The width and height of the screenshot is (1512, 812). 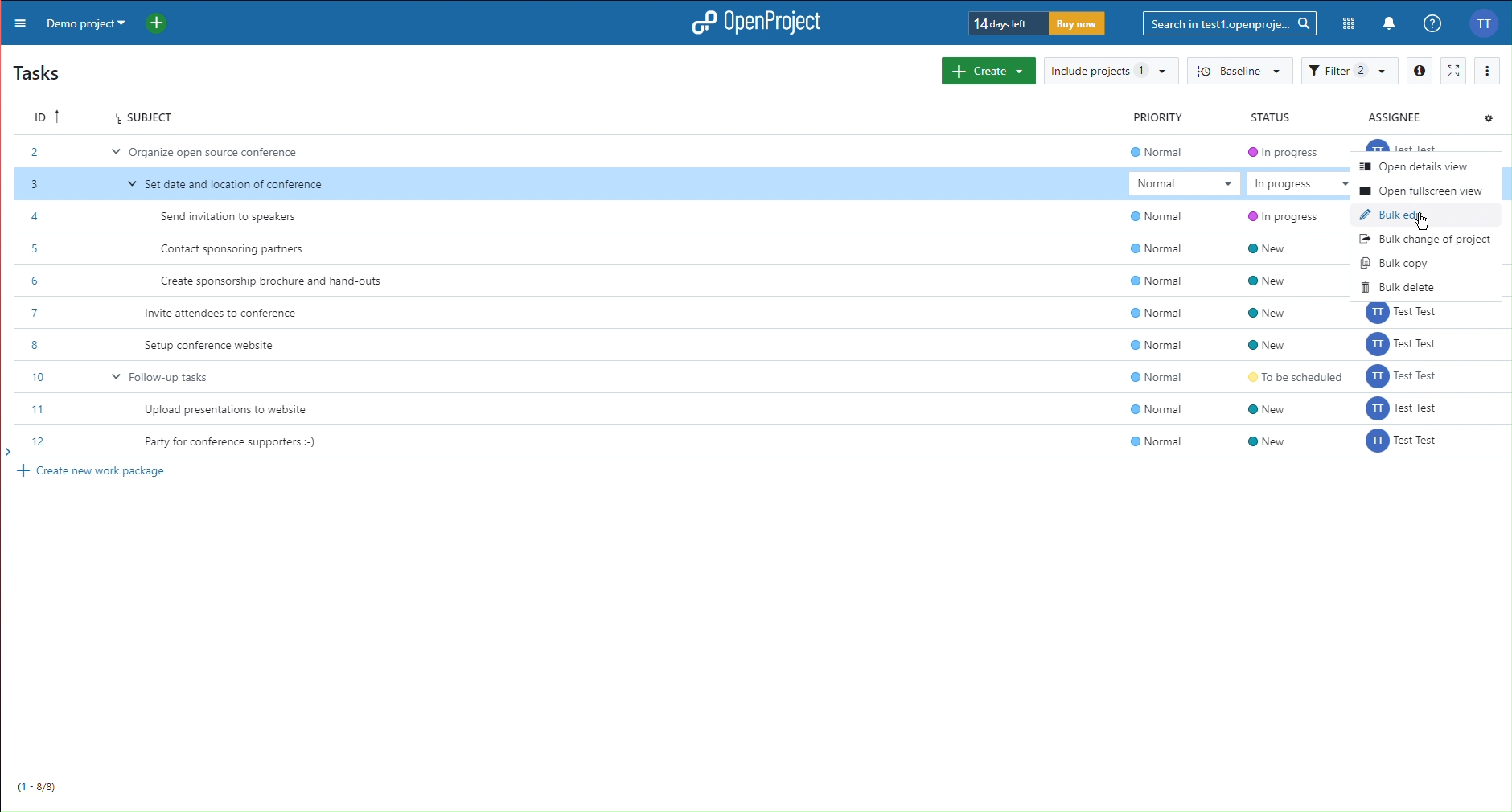 What do you see at coordinates (144, 118) in the screenshot?
I see `Subject` at bounding box center [144, 118].